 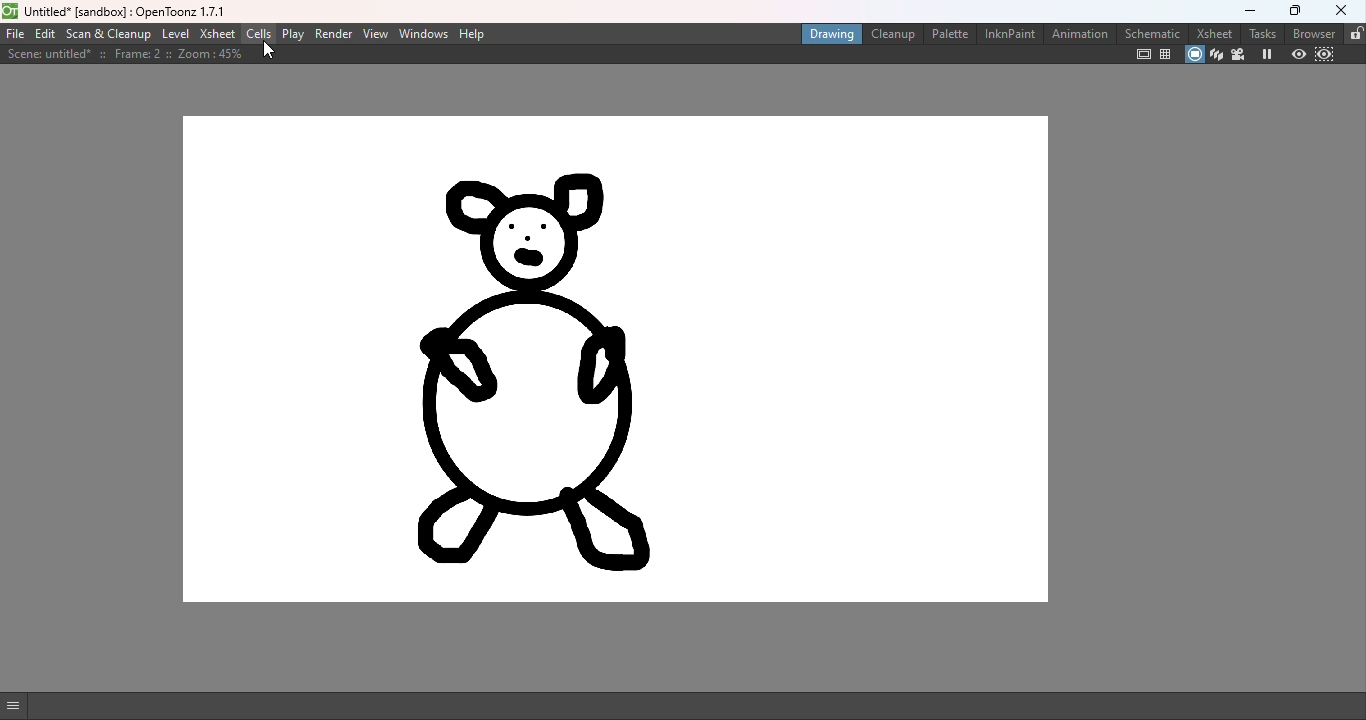 What do you see at coordinates (272, 52) in the screenshot?
I see `Cursor` at bounding box center [272, 52].